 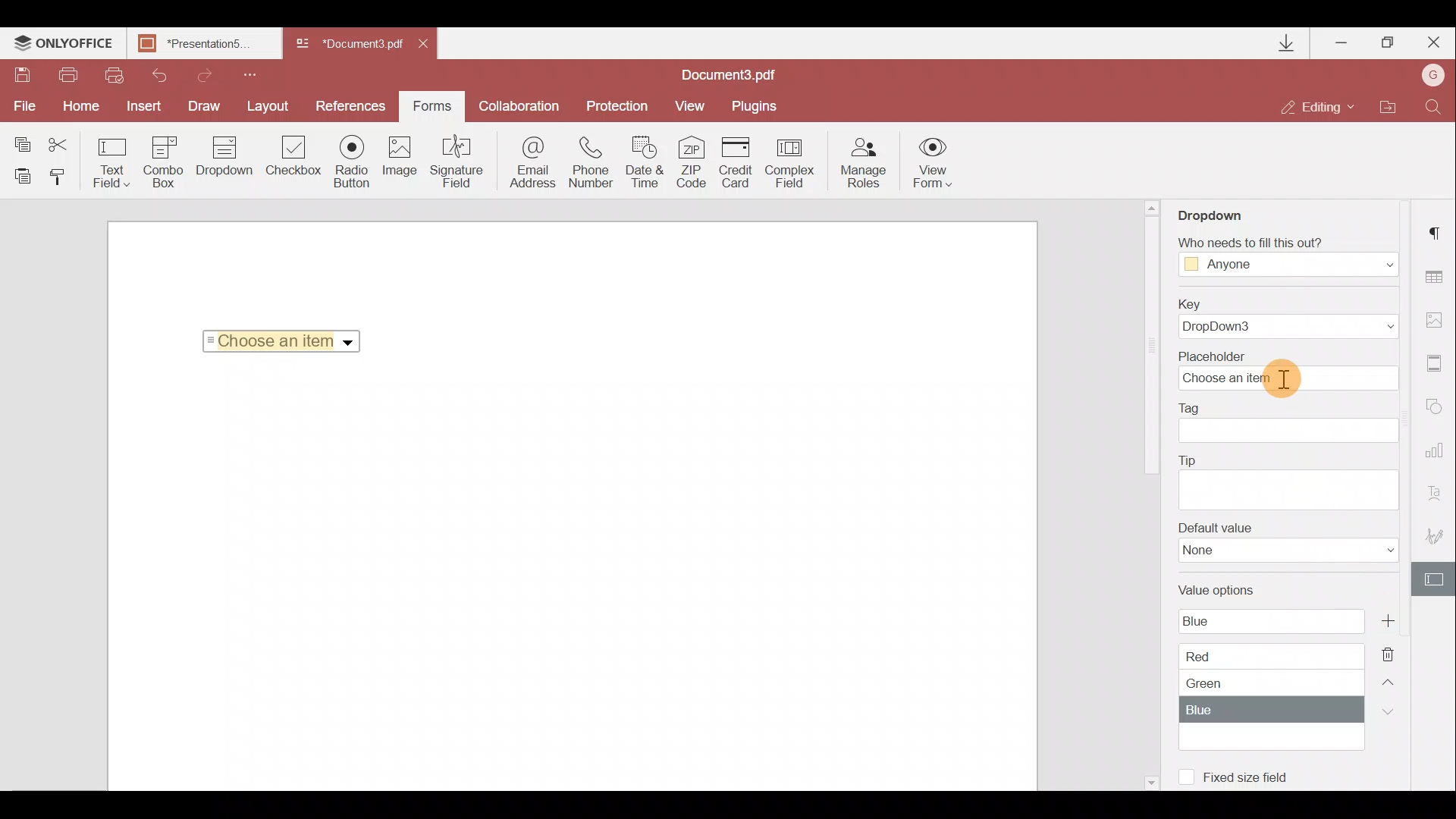 What do you see at coordinates (208, 106) in the screenshot?
I see `Draw` at bounding box center [208, 106].